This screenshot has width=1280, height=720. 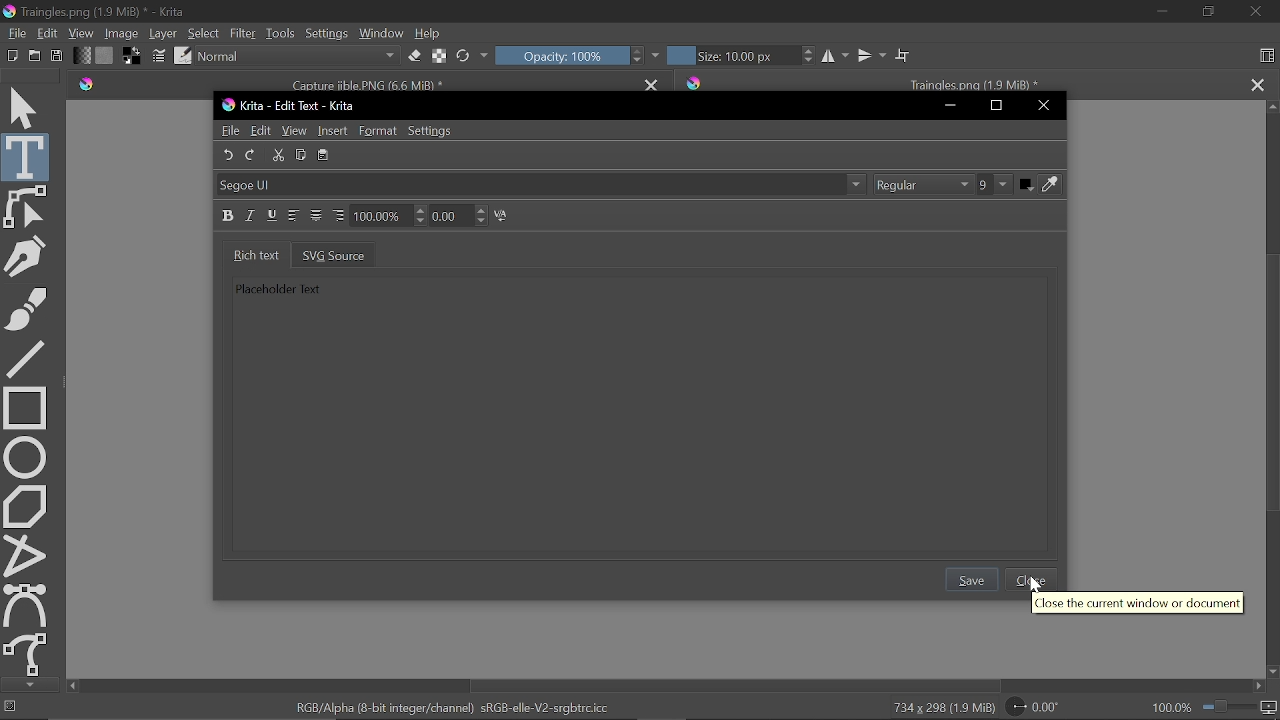 What do you see at coordinates (1211, 13) in the screenshot?
I see `Restore down` at bounding box center [1211, 13].